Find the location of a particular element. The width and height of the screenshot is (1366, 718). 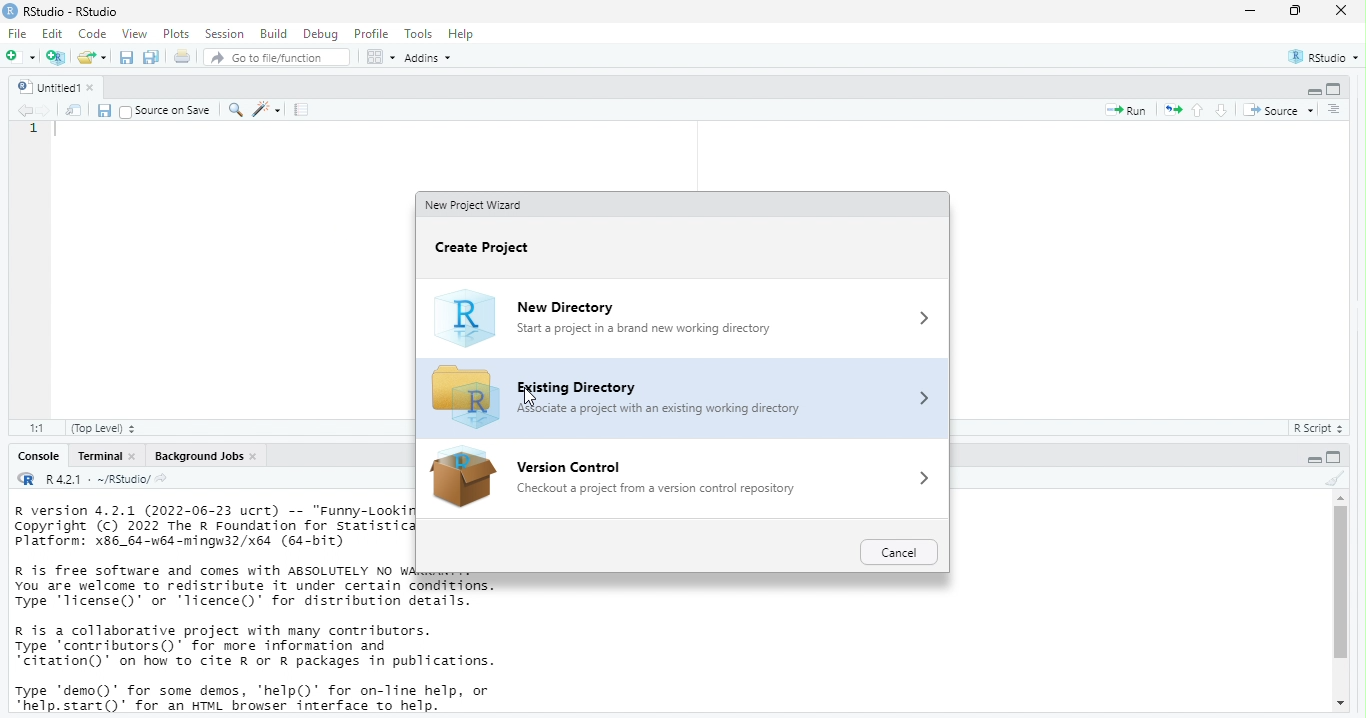

R logo is located at coordinates (25, 479).